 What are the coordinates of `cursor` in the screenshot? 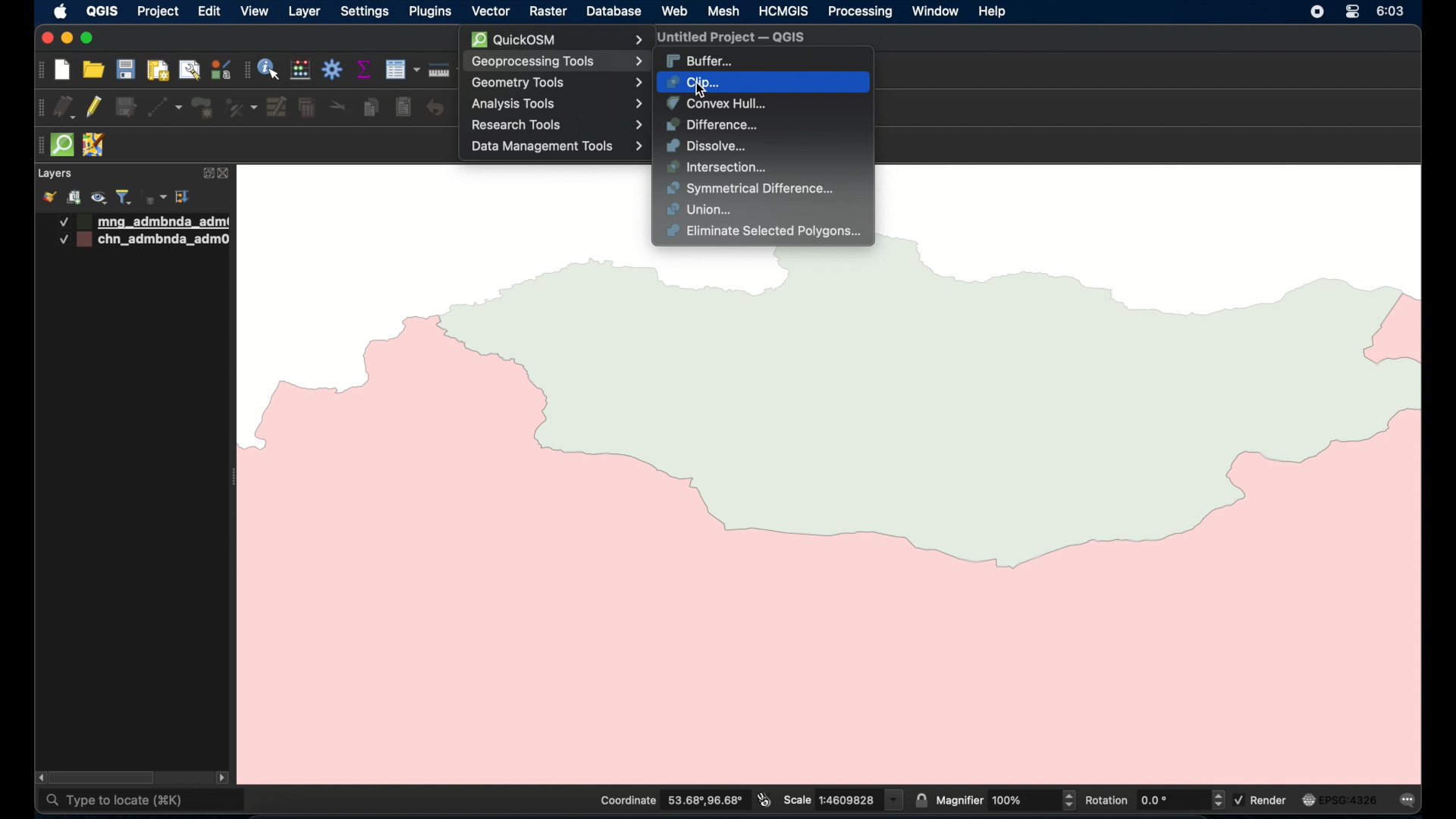 It's located at (706, 93).